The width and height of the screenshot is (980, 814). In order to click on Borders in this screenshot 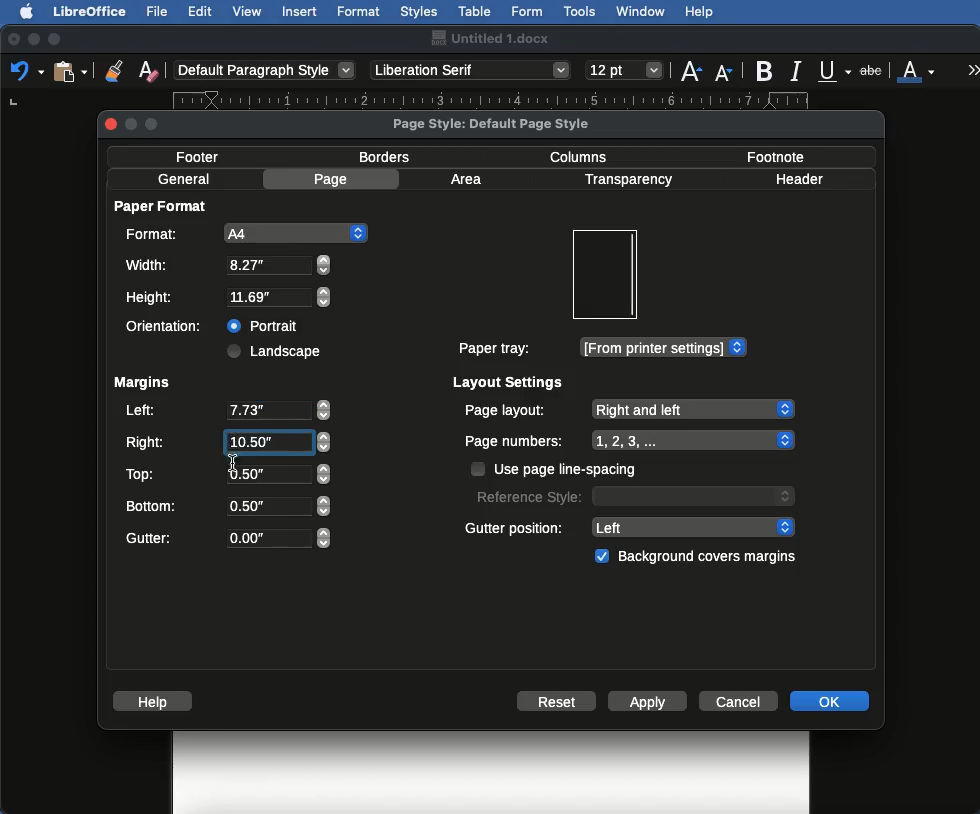, I will do `click(386, 157)`.